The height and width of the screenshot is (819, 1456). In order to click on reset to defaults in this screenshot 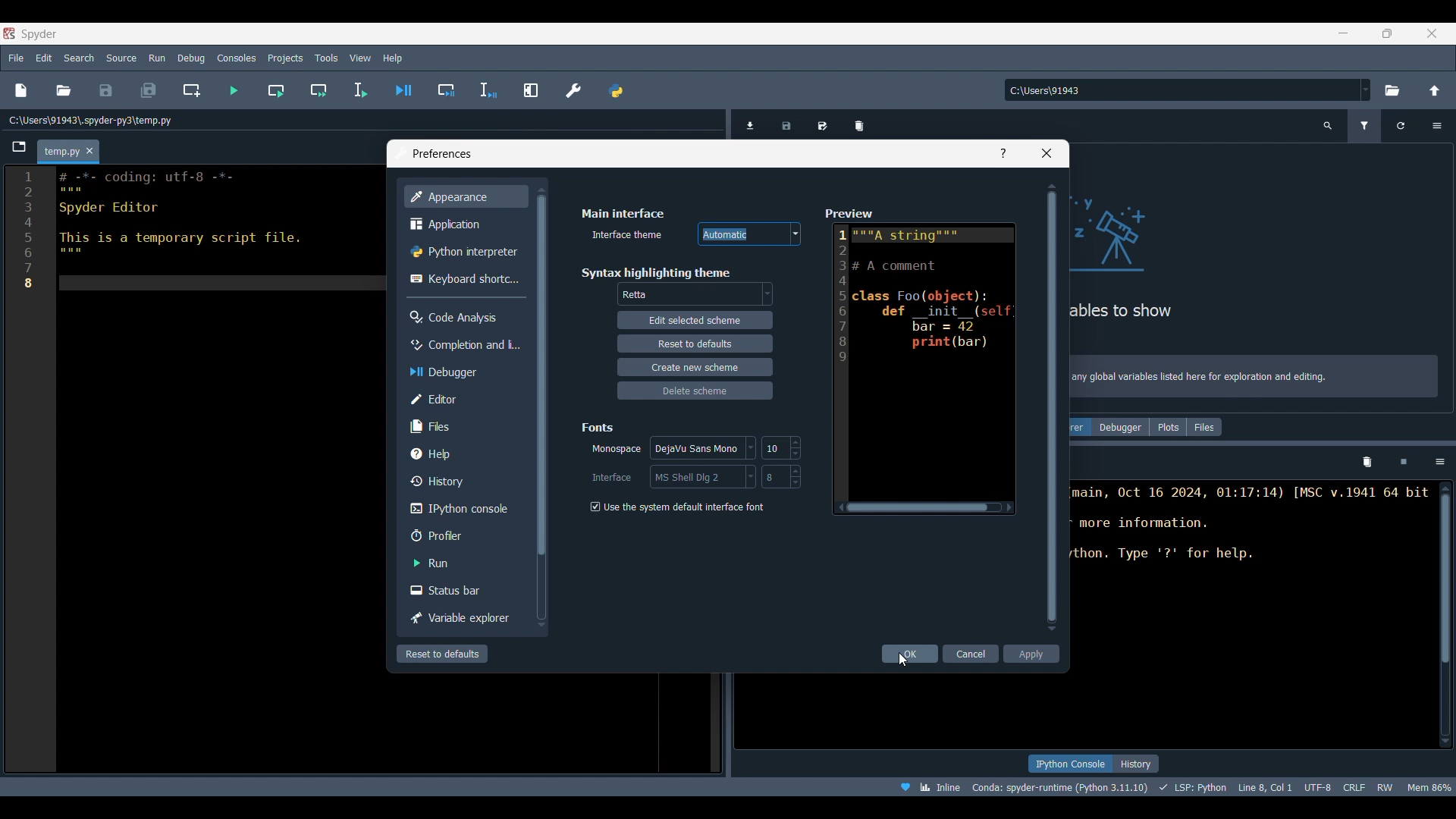, I will do `click(694, 343)`.